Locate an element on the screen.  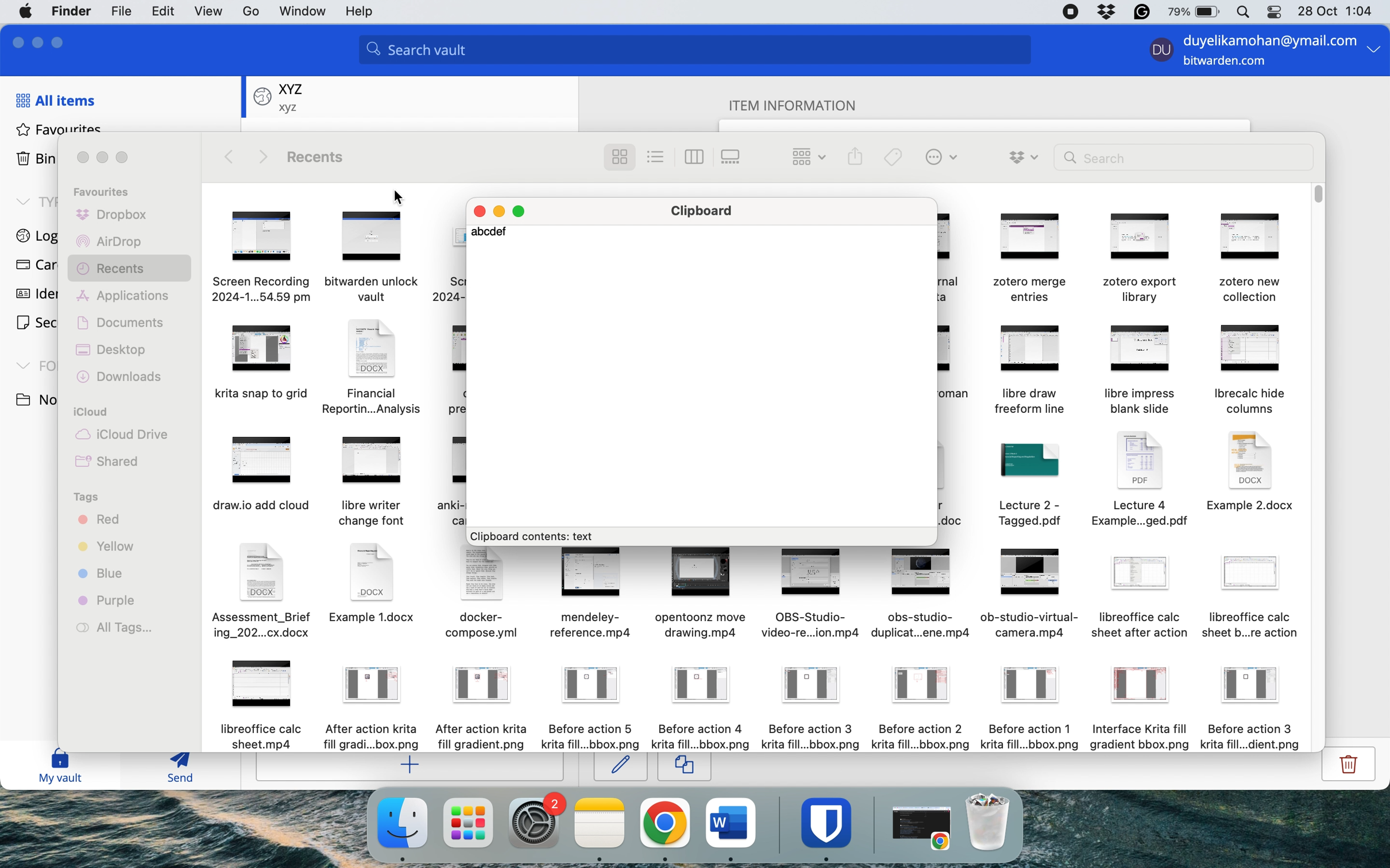
minimise is located at coordinates (40, 40).